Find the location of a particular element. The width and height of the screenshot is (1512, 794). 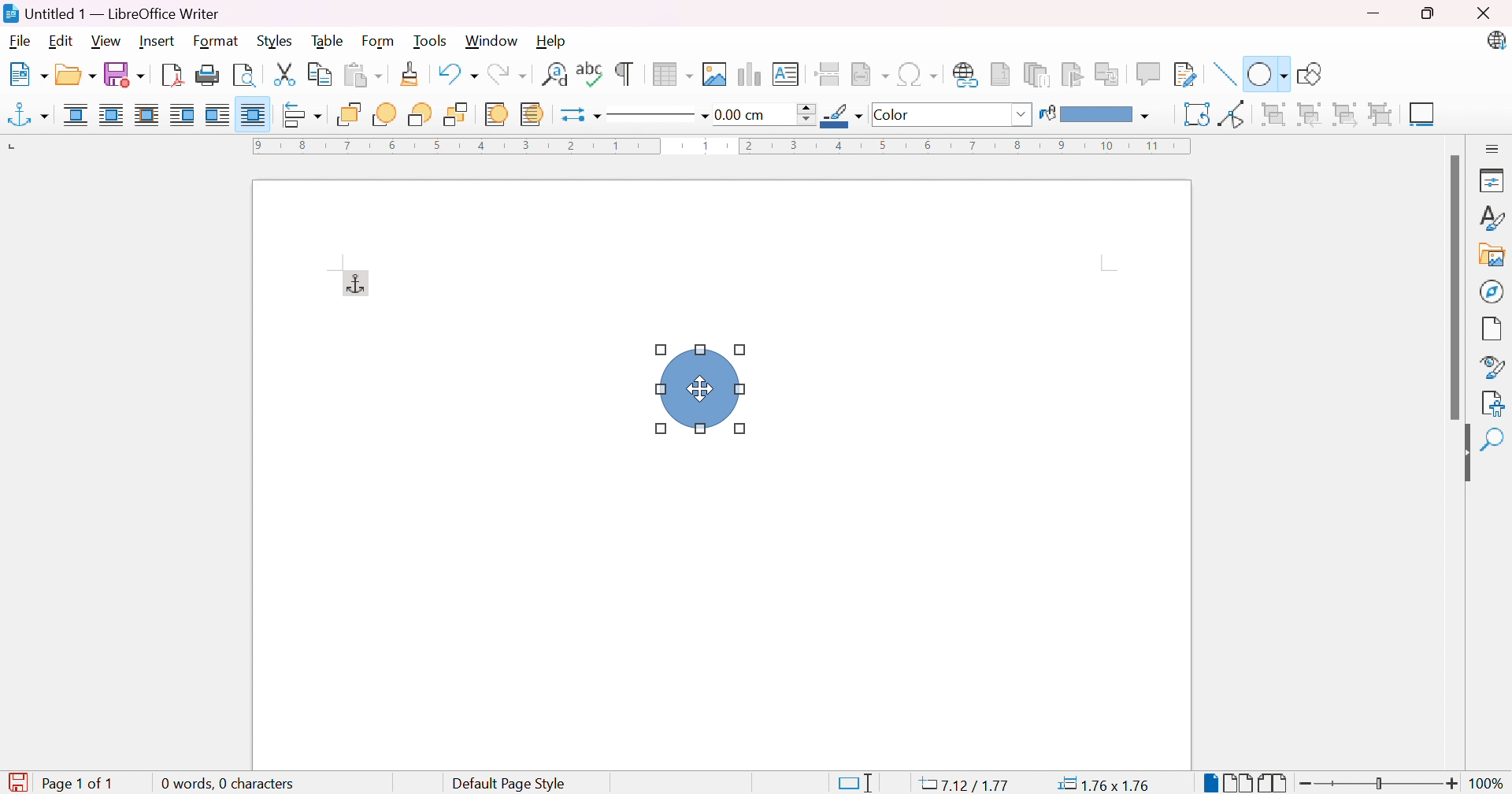

Insert footnote is located at coordinates (1001, 72).